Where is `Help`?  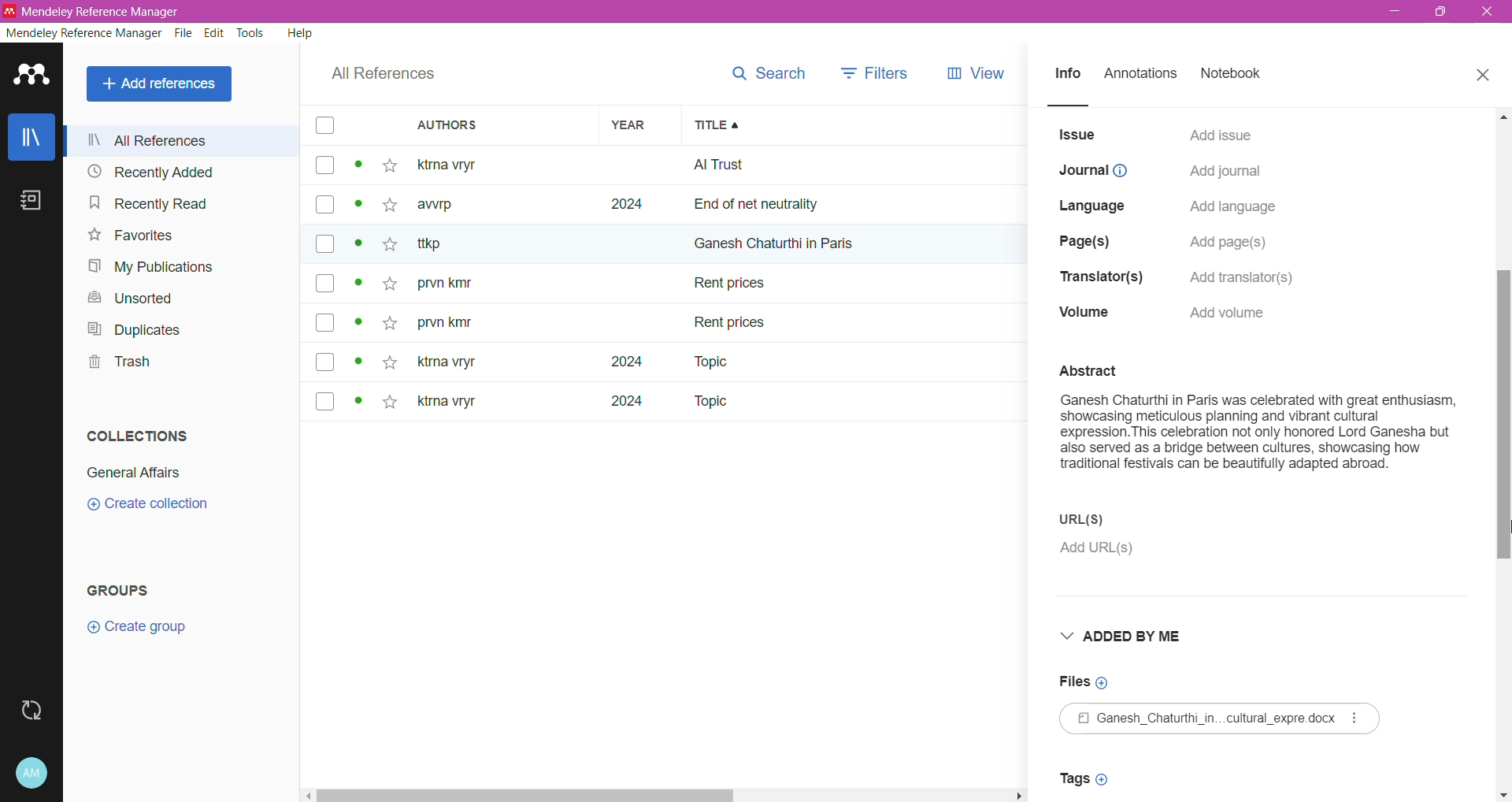
Help is located at coordinates (298, 35).